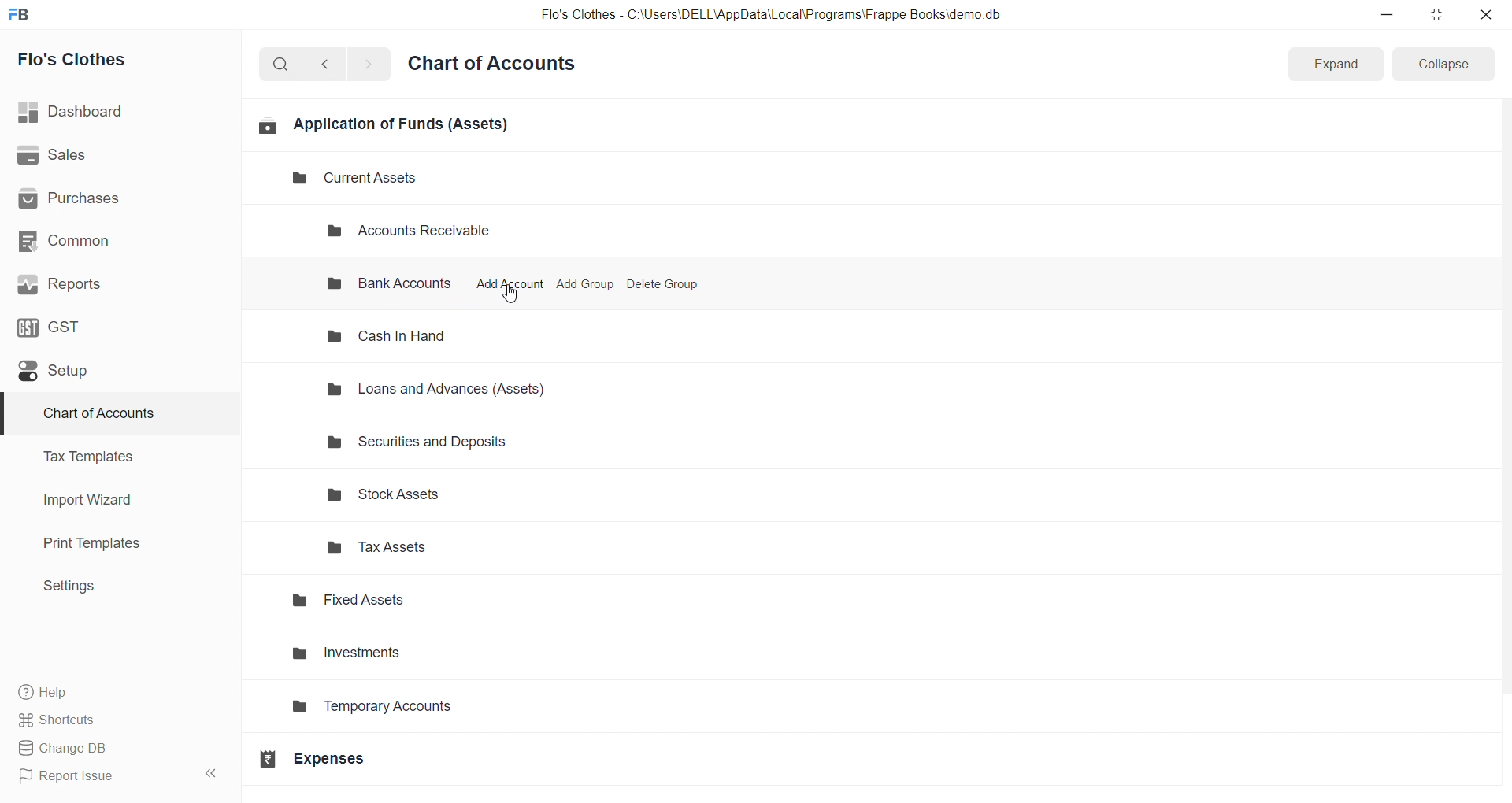 This screenshot has height=803, width=1512. What do you see at coordinates (509, 284) in the screenshot?
I see `Add Account` at bounding box center [509, 284].